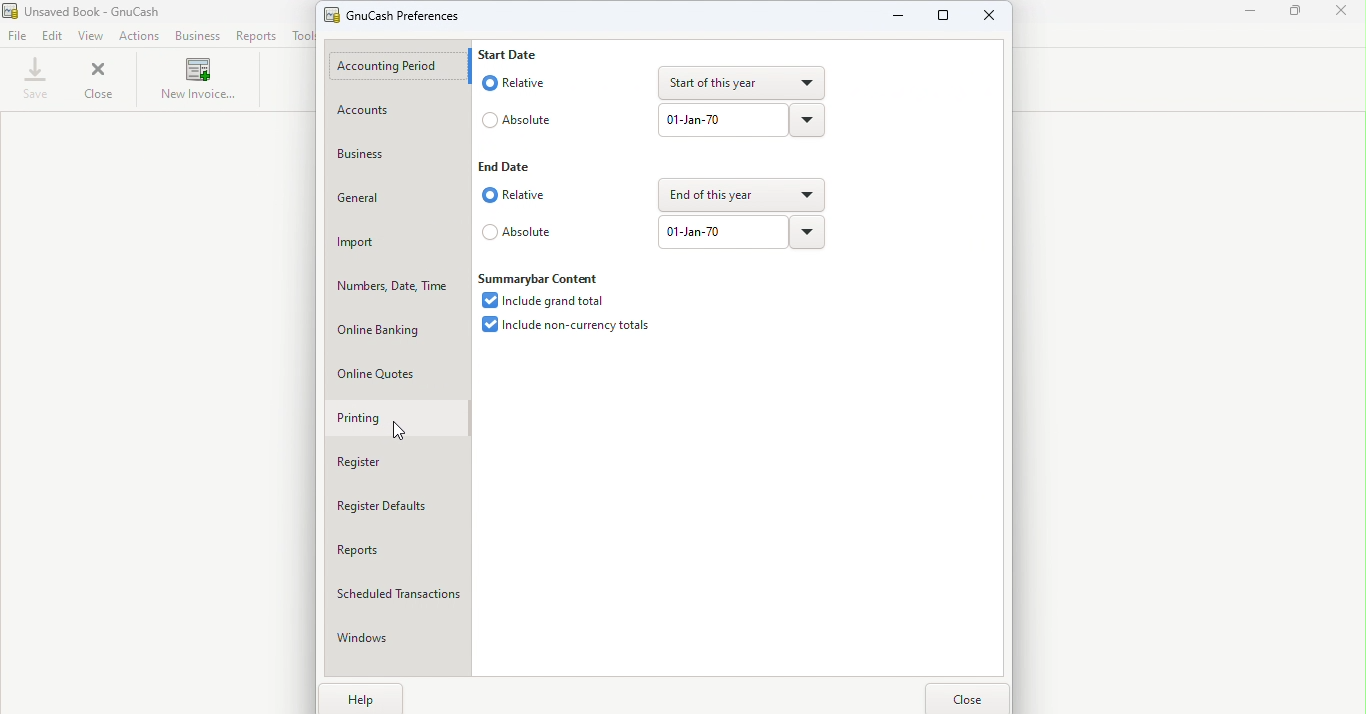 The image size is (1366, 714). Describe the element at coordinates (137, 36) in the screenshot. I see `Actions` at that location.